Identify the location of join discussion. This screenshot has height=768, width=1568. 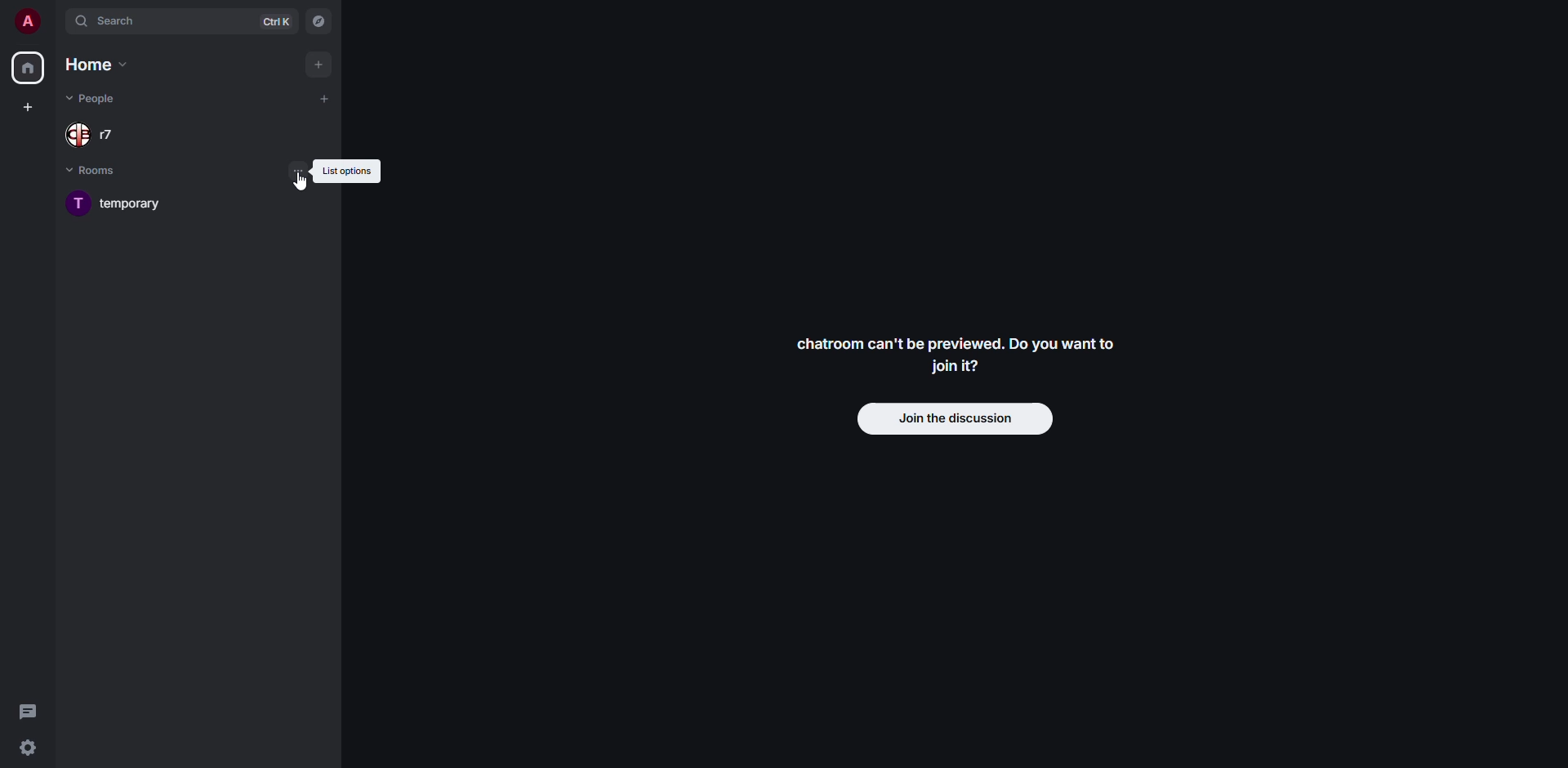
(953, 417).